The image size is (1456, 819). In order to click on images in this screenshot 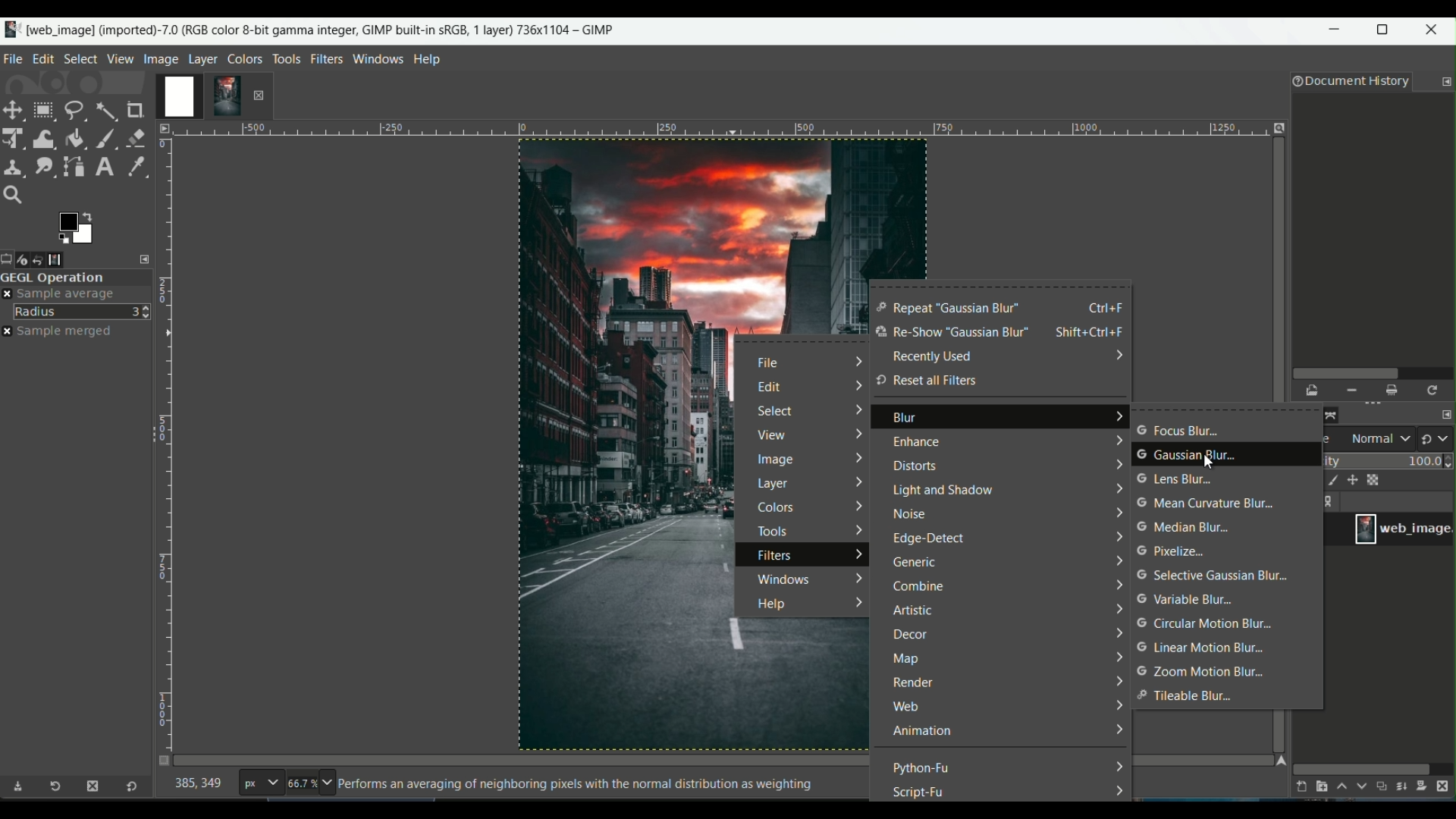, I will do `click(66, 259)`.